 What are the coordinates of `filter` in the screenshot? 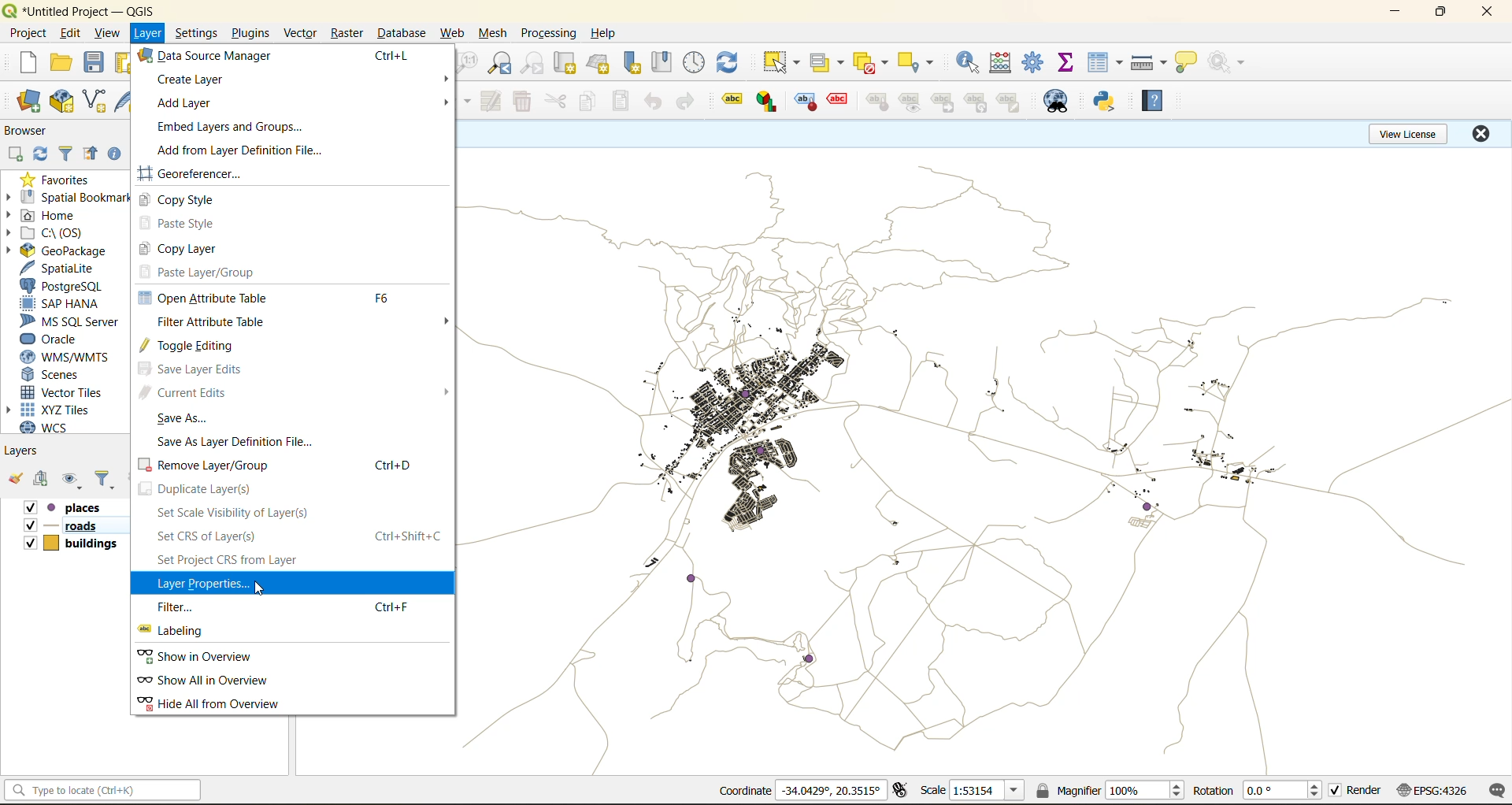 It's located at (69, 154).